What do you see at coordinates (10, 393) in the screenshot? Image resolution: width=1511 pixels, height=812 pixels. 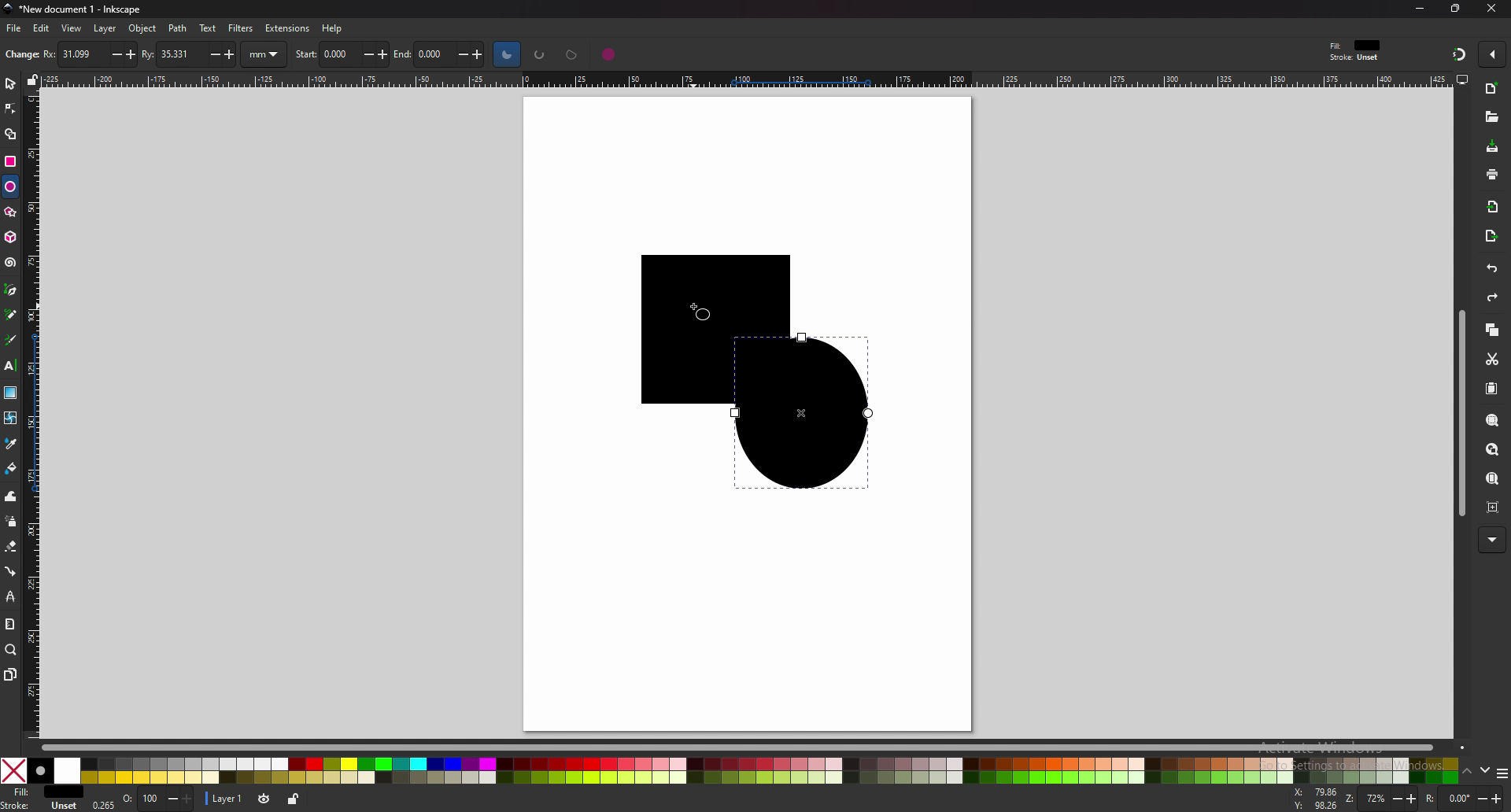 I see `gradient` at bounding box center [10, 393].